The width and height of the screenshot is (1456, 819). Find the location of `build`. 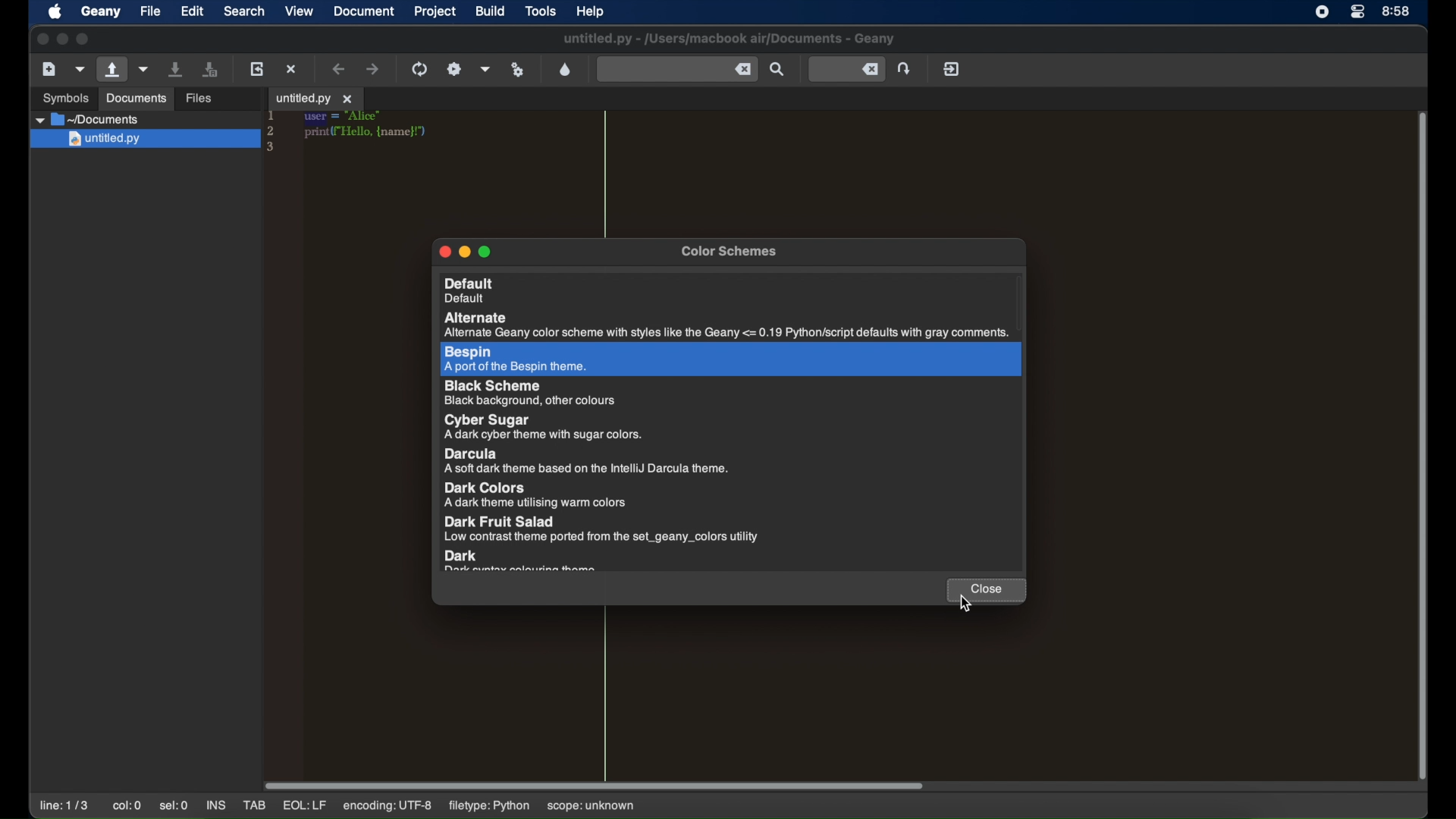

build is located at coordinates (491, 11).